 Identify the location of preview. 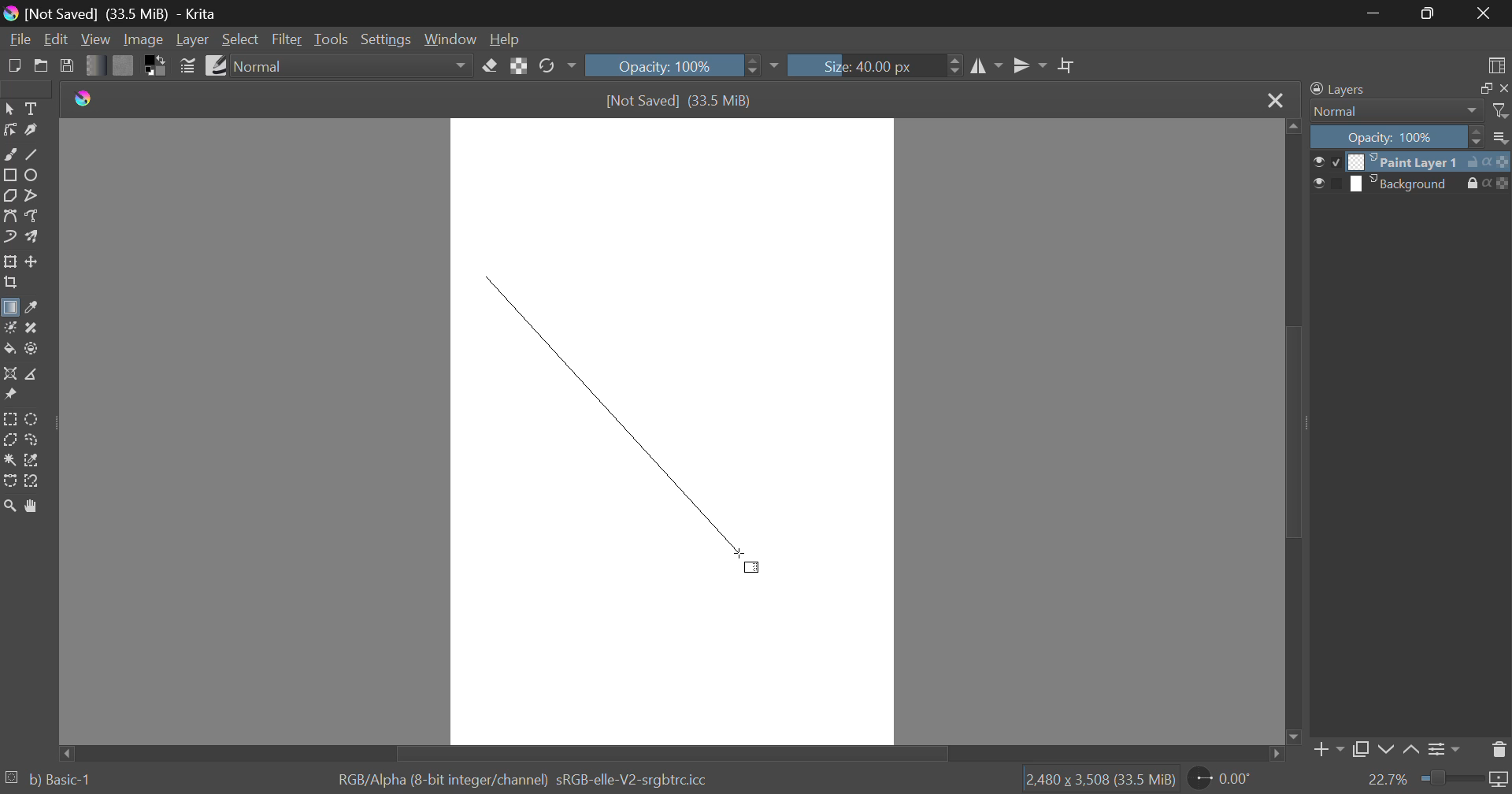
(1328, 186).